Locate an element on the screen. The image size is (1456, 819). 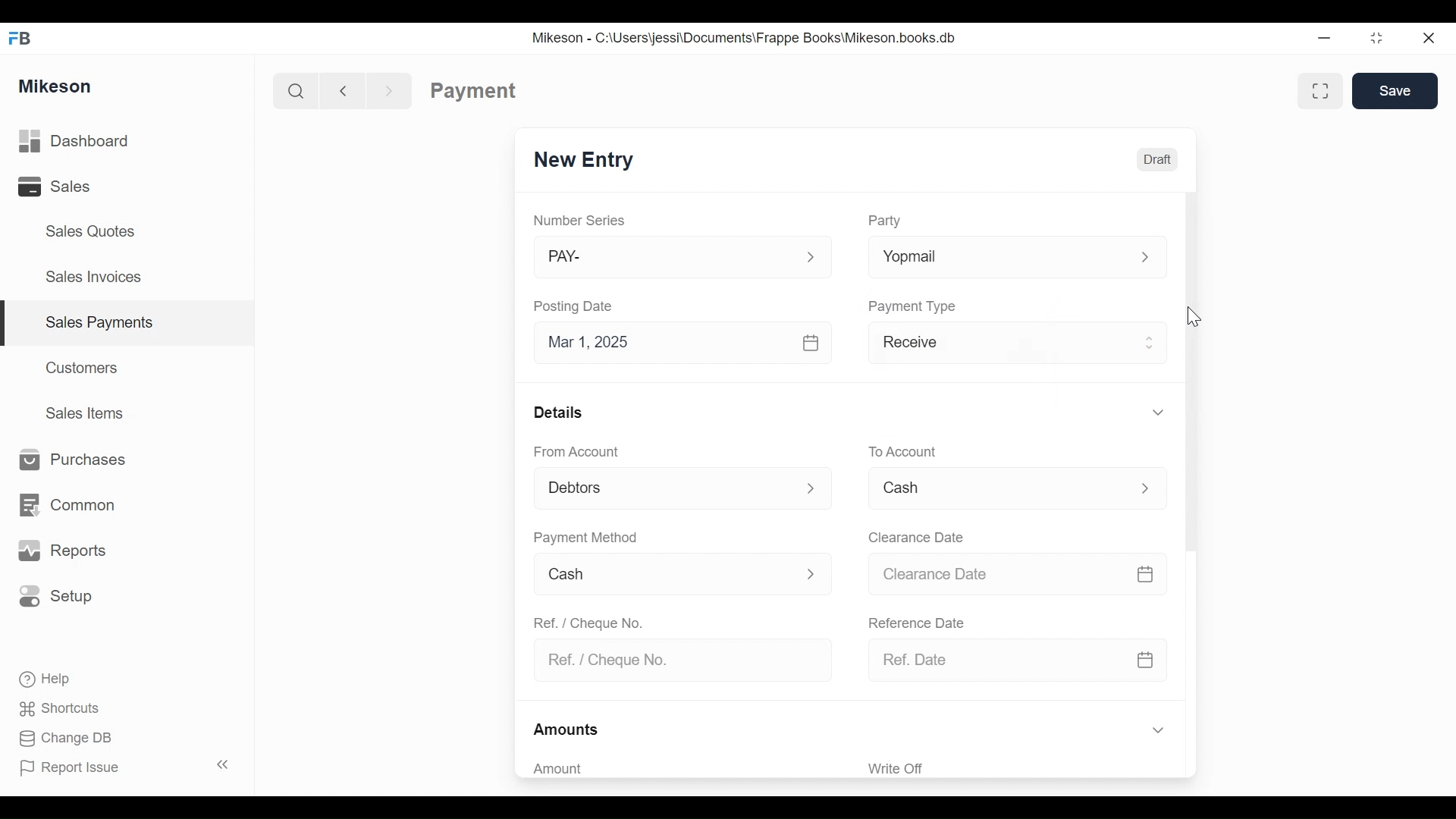
Amounts is located at coordinates (570, 726).